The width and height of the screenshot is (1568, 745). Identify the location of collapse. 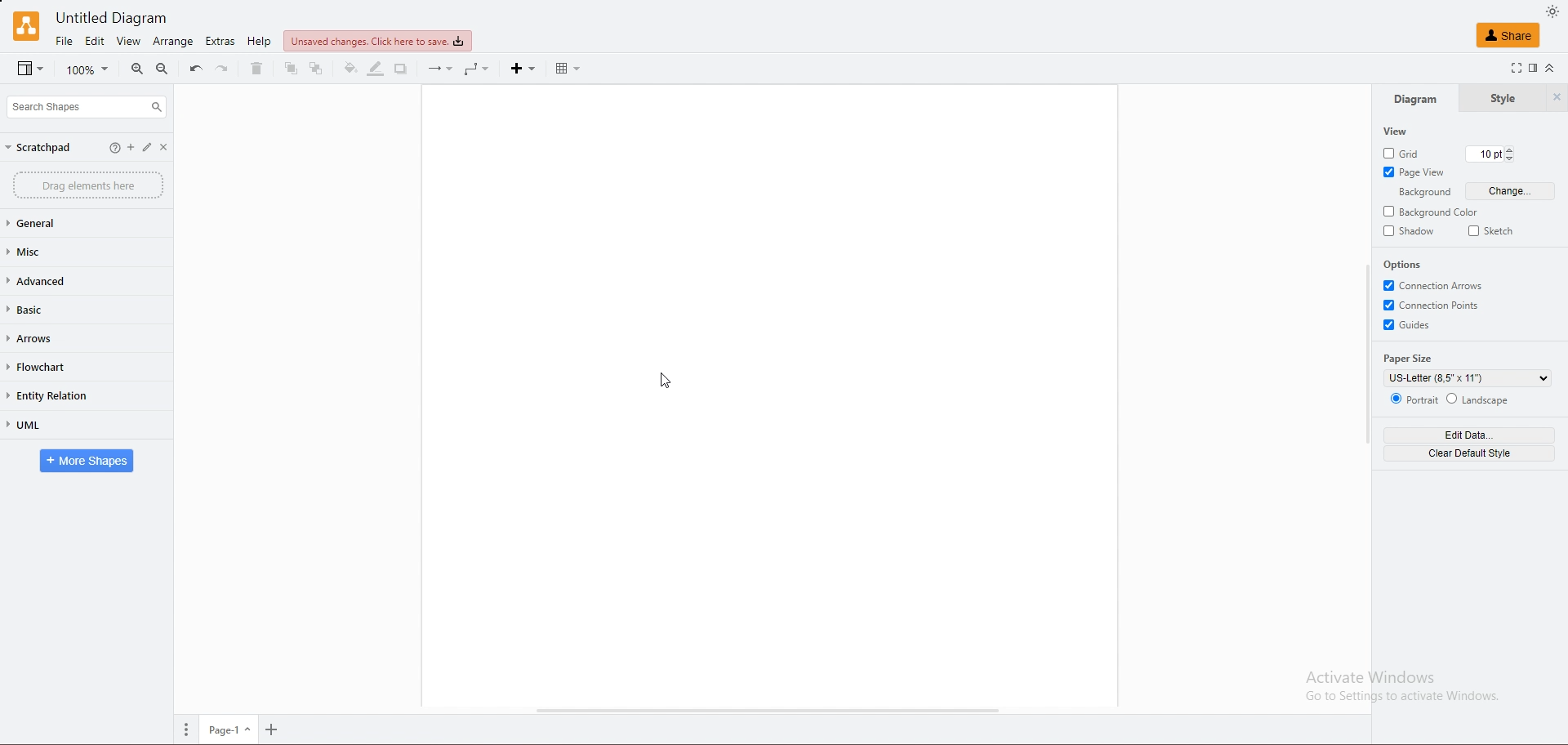
(1555, 69).